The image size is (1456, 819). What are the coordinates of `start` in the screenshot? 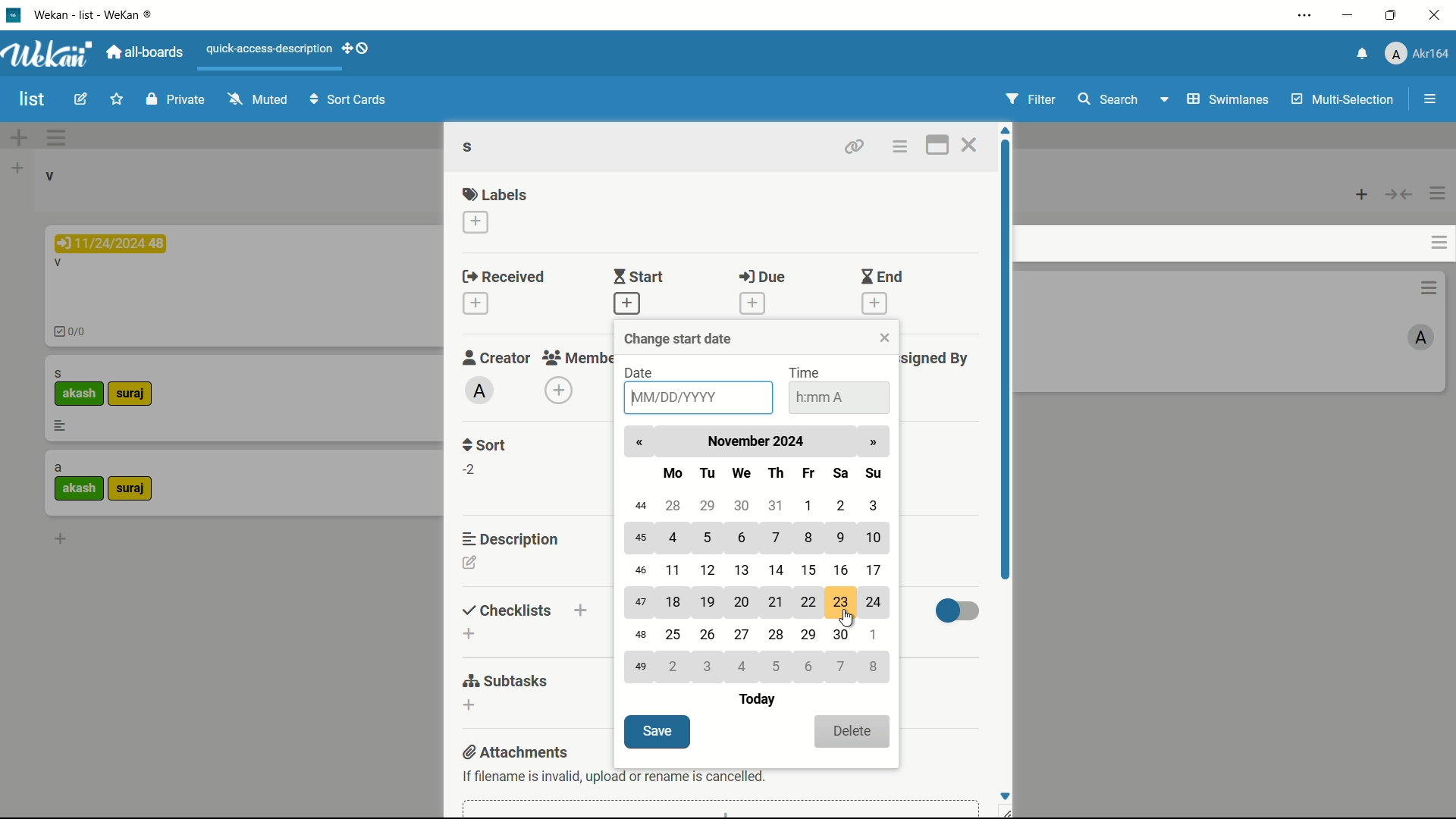 It's located at (642, 277).